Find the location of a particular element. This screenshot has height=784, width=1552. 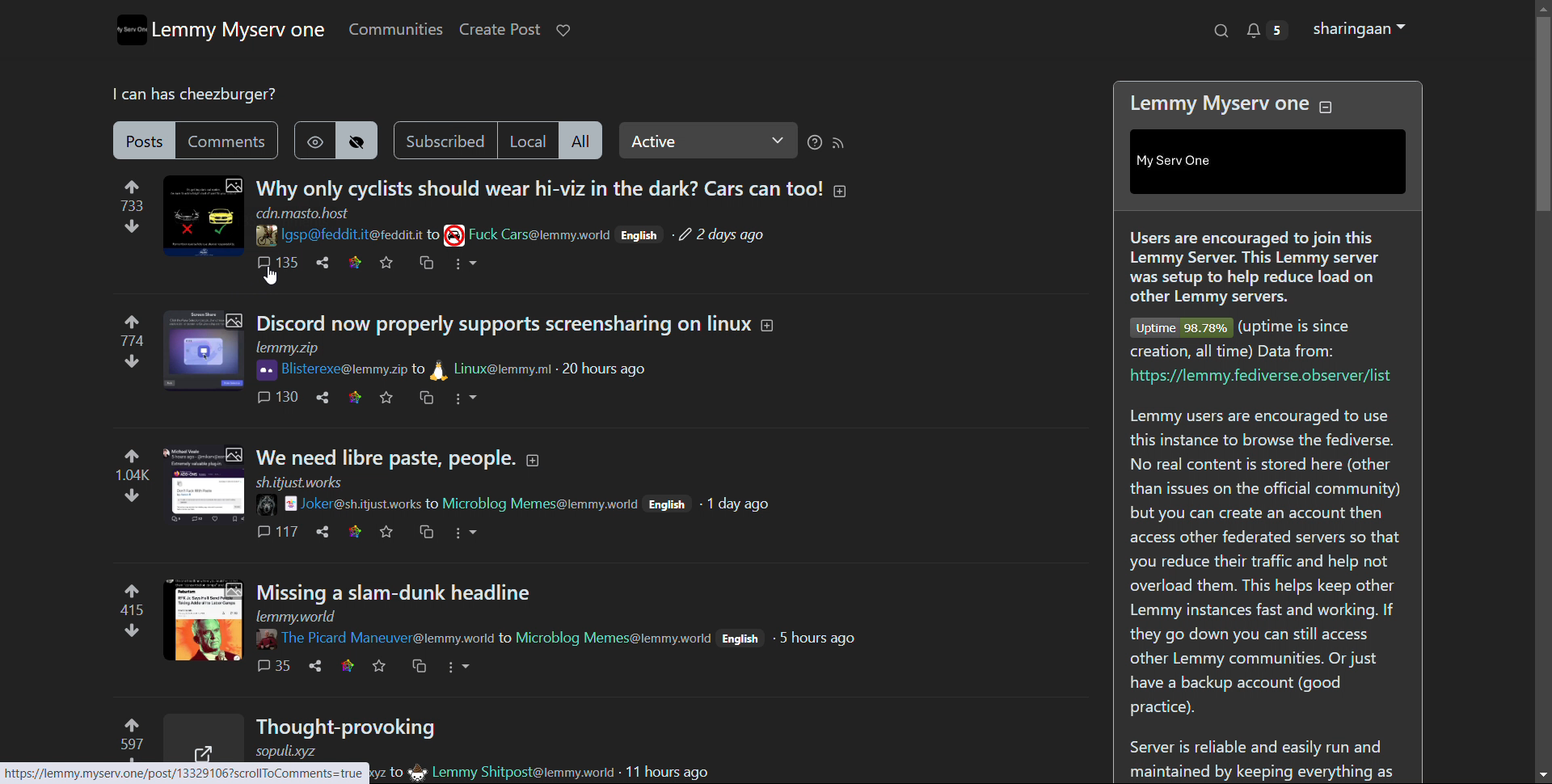

Preview picture is located at coordinates (204, 351).